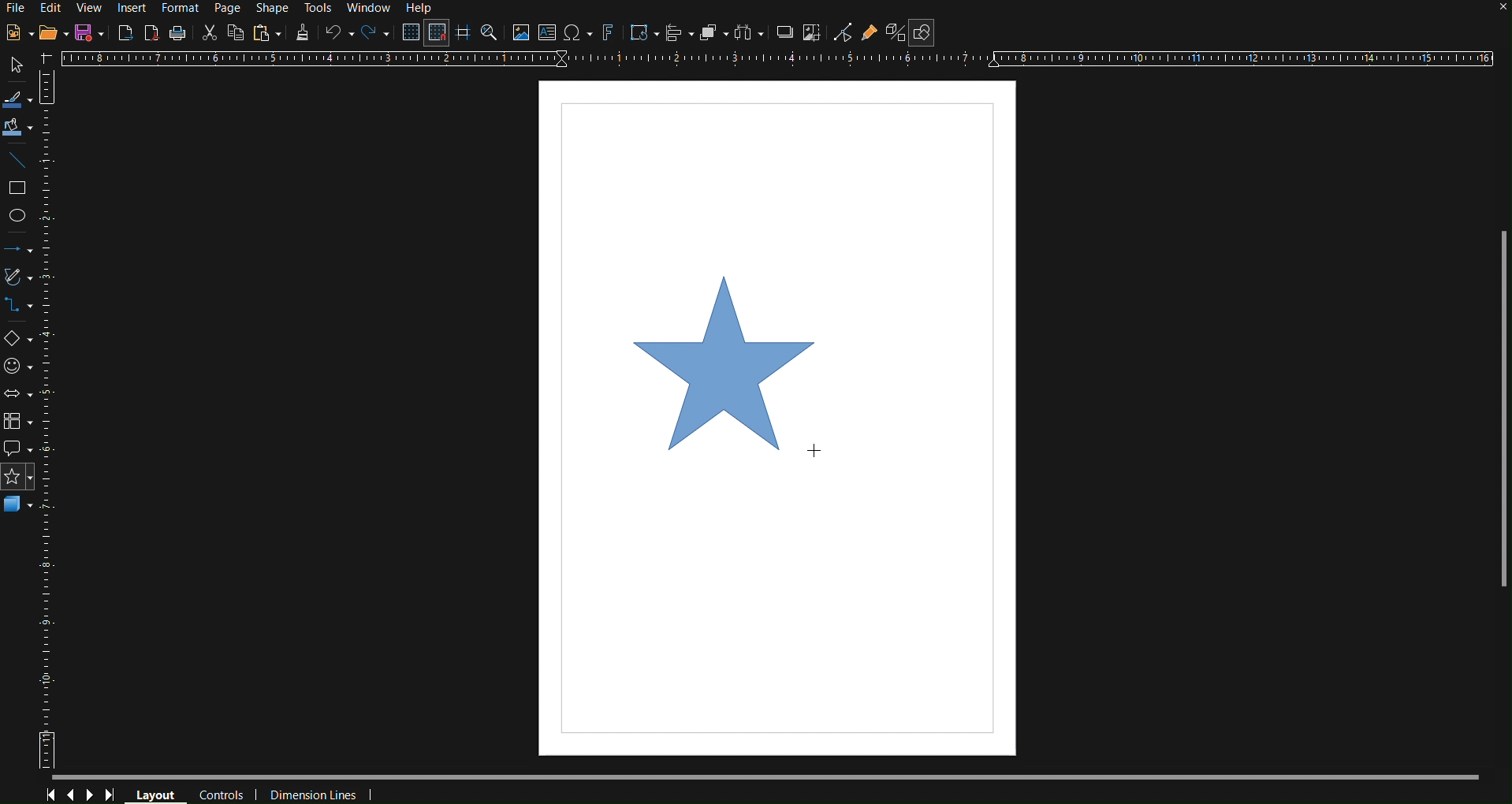 The width and height of the screenshot is (1512, 804). What do you see at coordinates (227, 7) in the screenshot?
I see `Page` at bounding box center [227, 7].